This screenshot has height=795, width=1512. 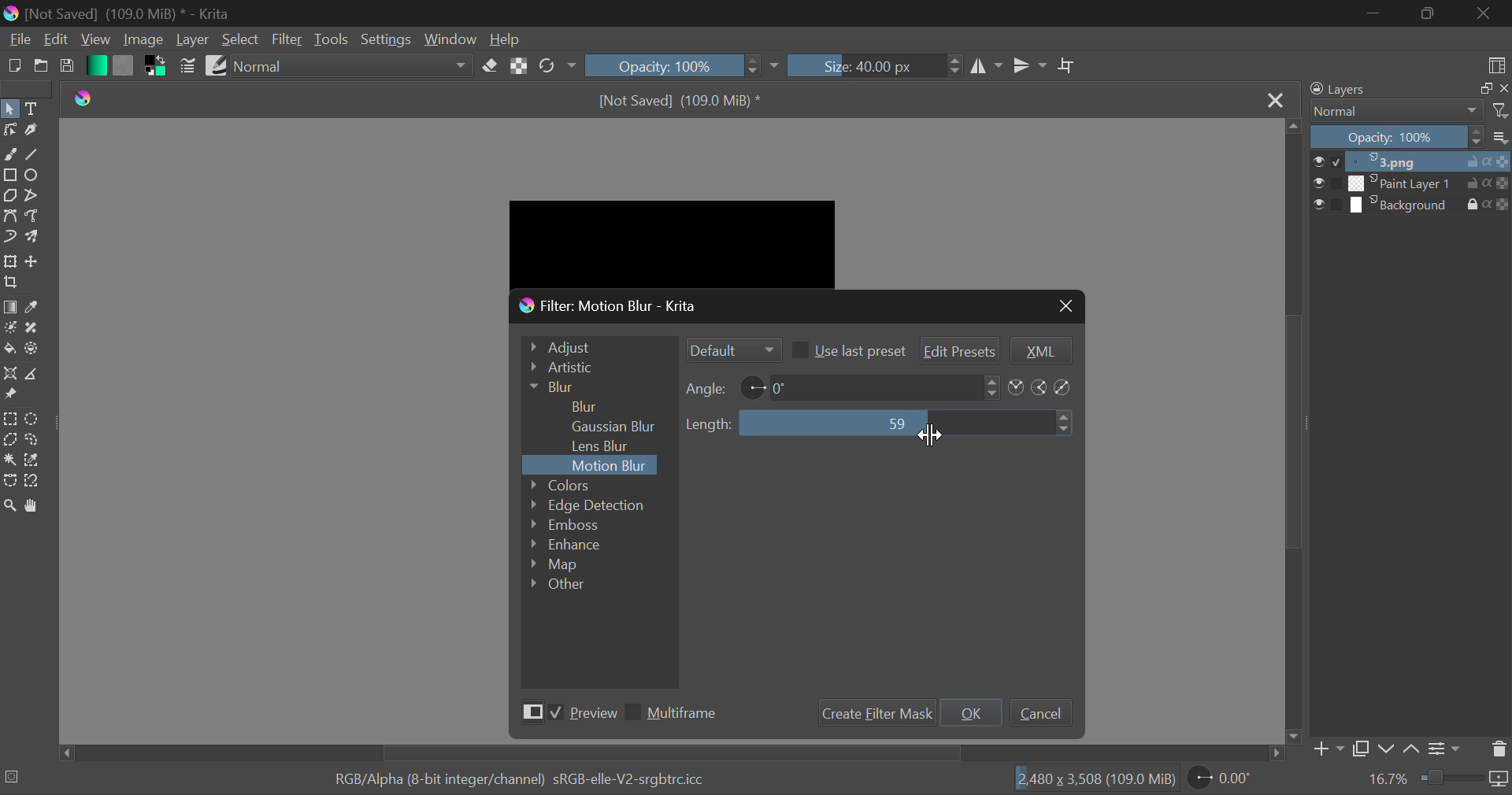 What do you see at coordinates (38, 461) in the screenshot?
I see `Similar Color Selection Tool` at bounding box center [38, 461].